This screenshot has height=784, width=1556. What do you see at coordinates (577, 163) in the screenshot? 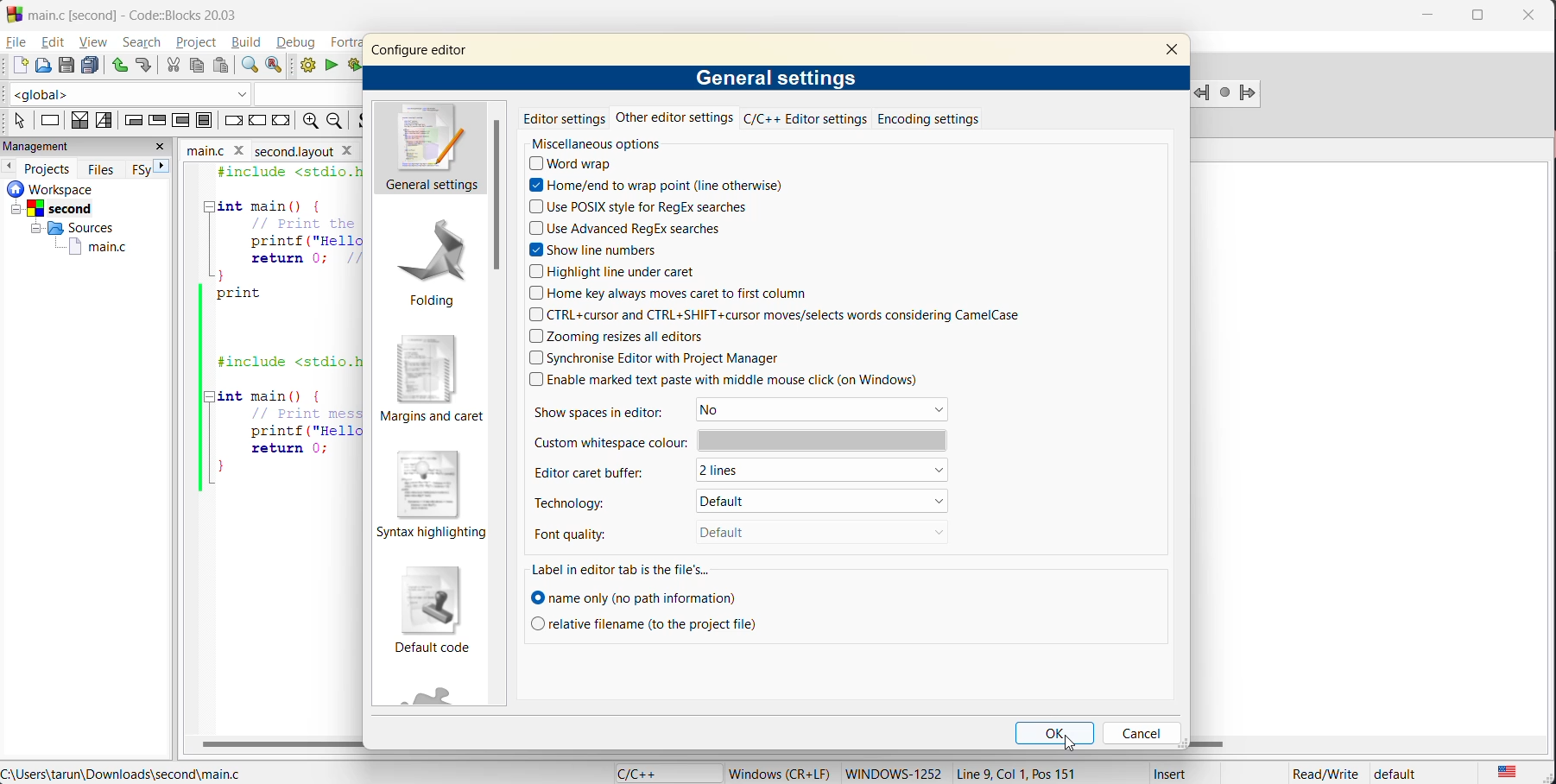
I see `word wrap` at bounding box center [577, 163].